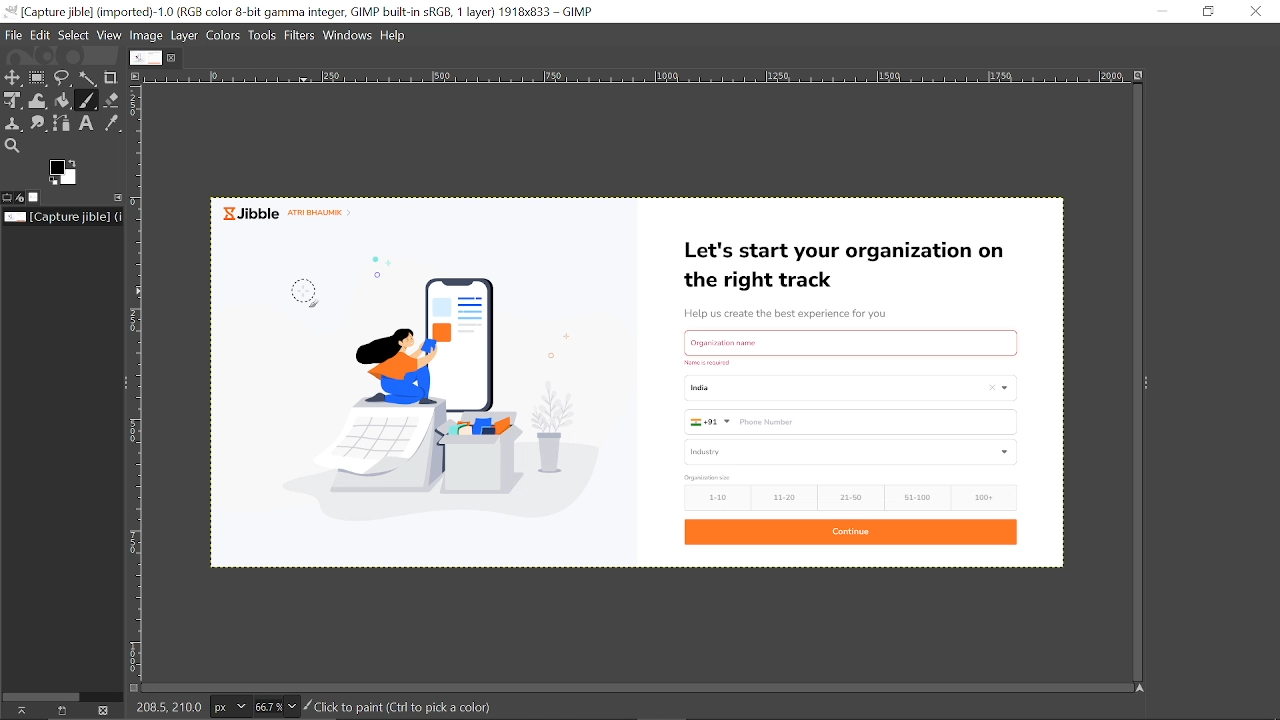  What do you see at coordinates (109, 36) in the screenshot?
I see `View` at bounding box center [109, 36].